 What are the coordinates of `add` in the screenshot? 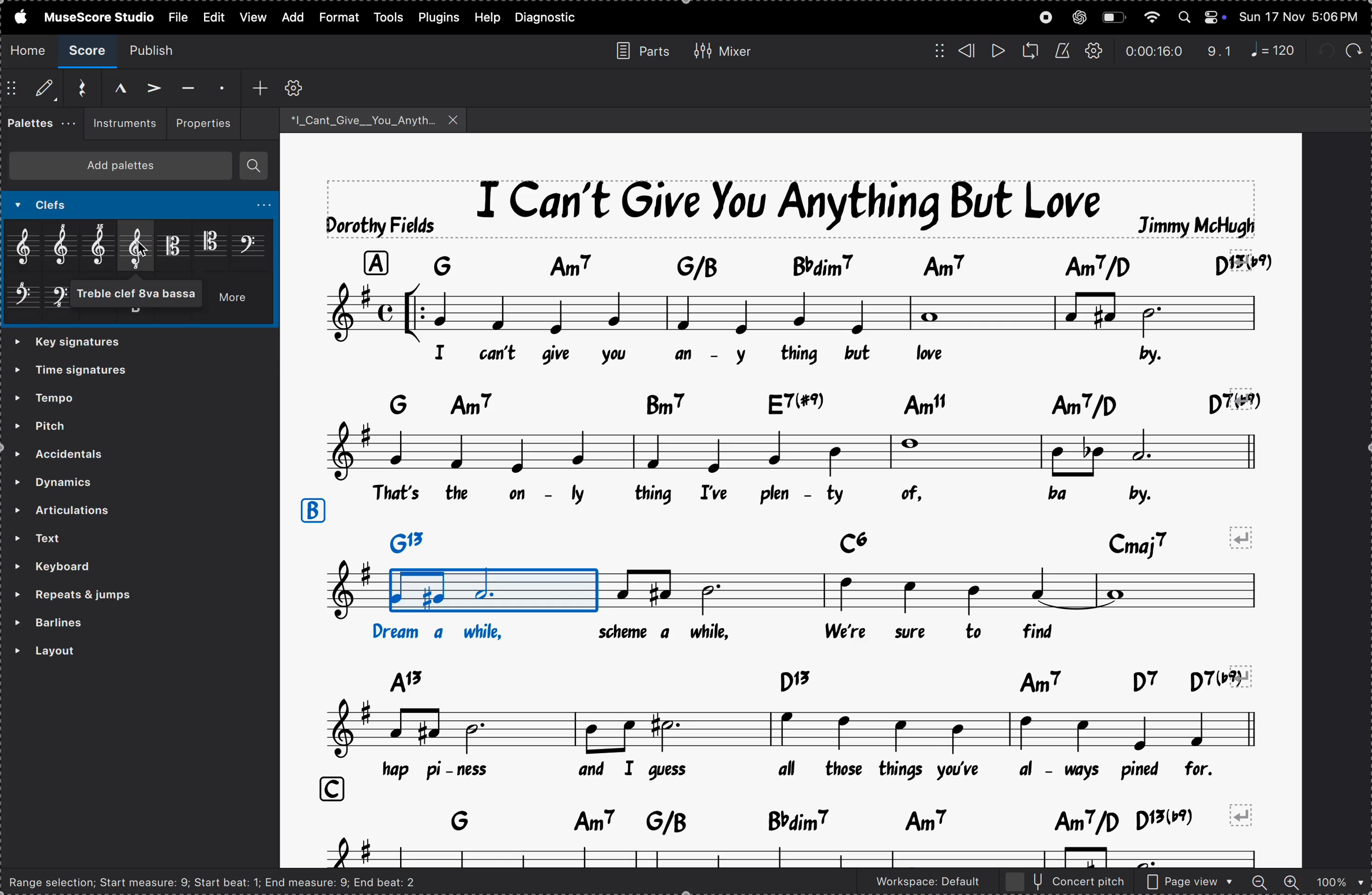 It's located at (290, 17).